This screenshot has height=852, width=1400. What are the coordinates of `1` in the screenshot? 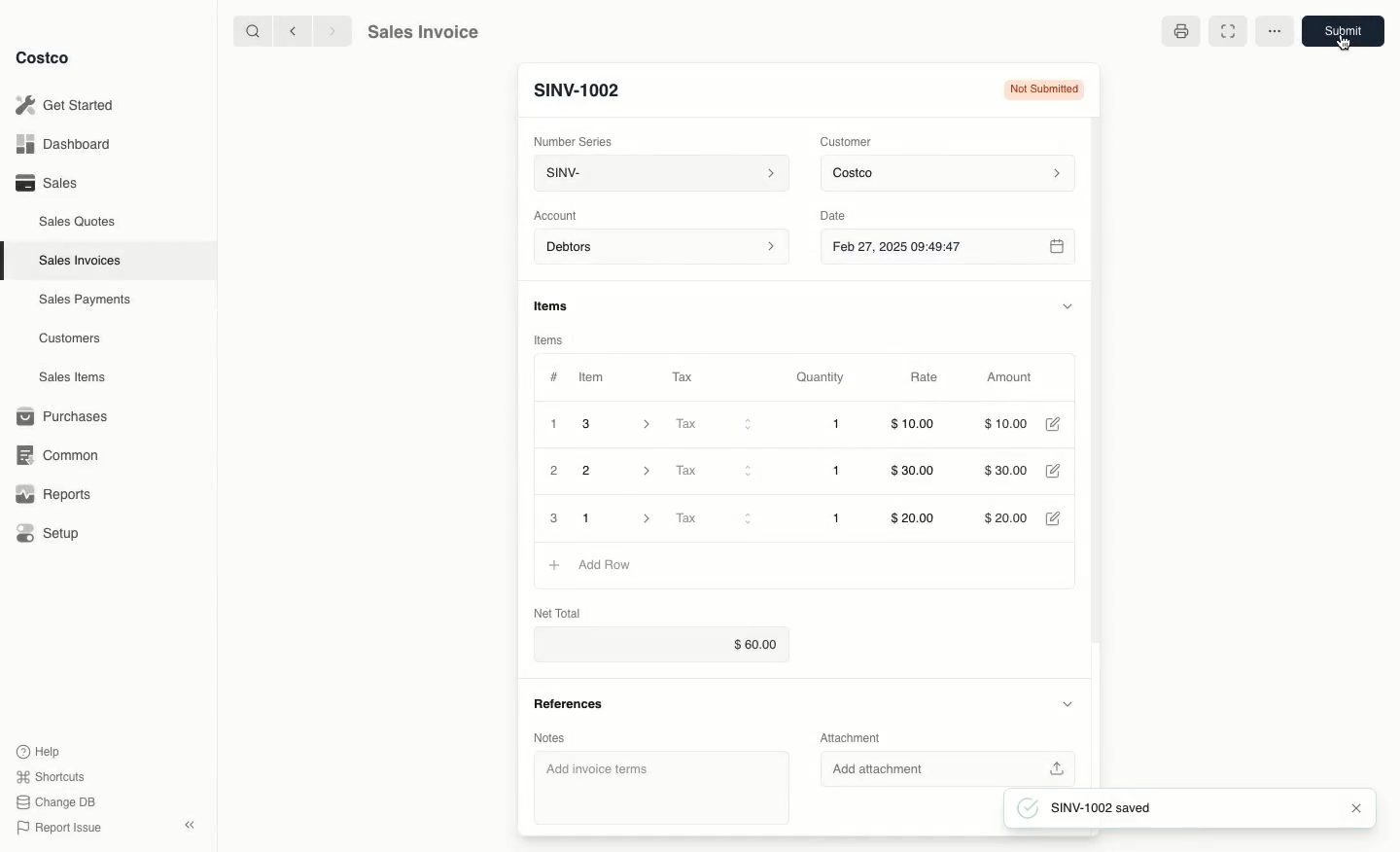 It's located at (618, 518).